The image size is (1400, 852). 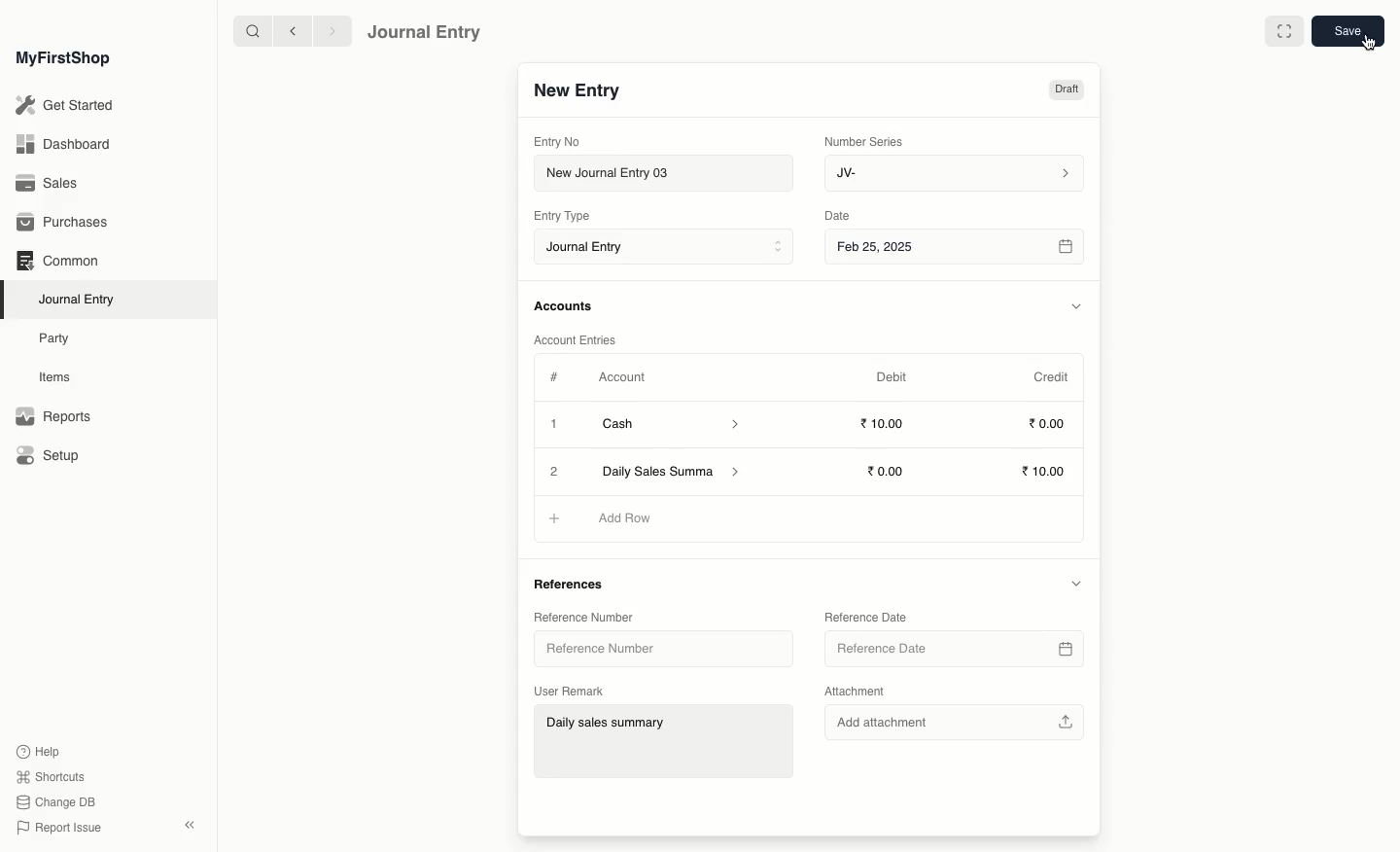 I want to click on Items, so click(x=60, y=377).